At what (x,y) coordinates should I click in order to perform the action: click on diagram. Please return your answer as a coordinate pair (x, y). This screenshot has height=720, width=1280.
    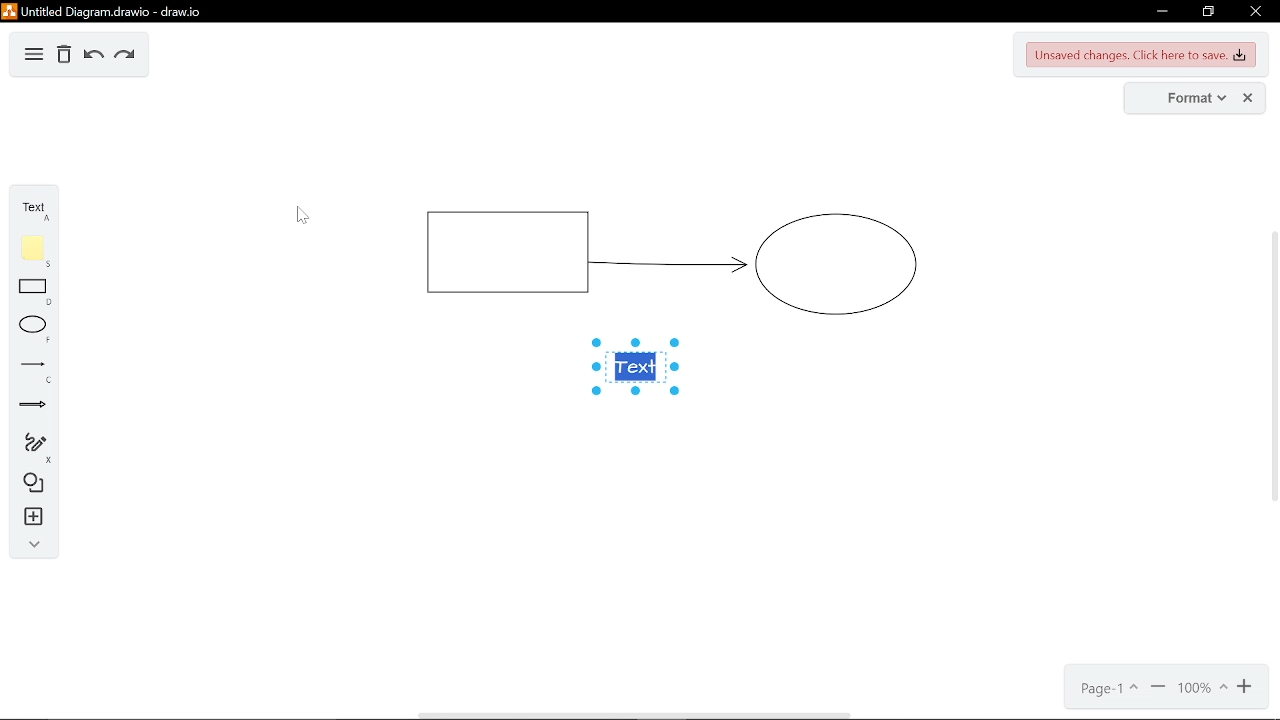
    Looking at the image, I should click on (33, 57).